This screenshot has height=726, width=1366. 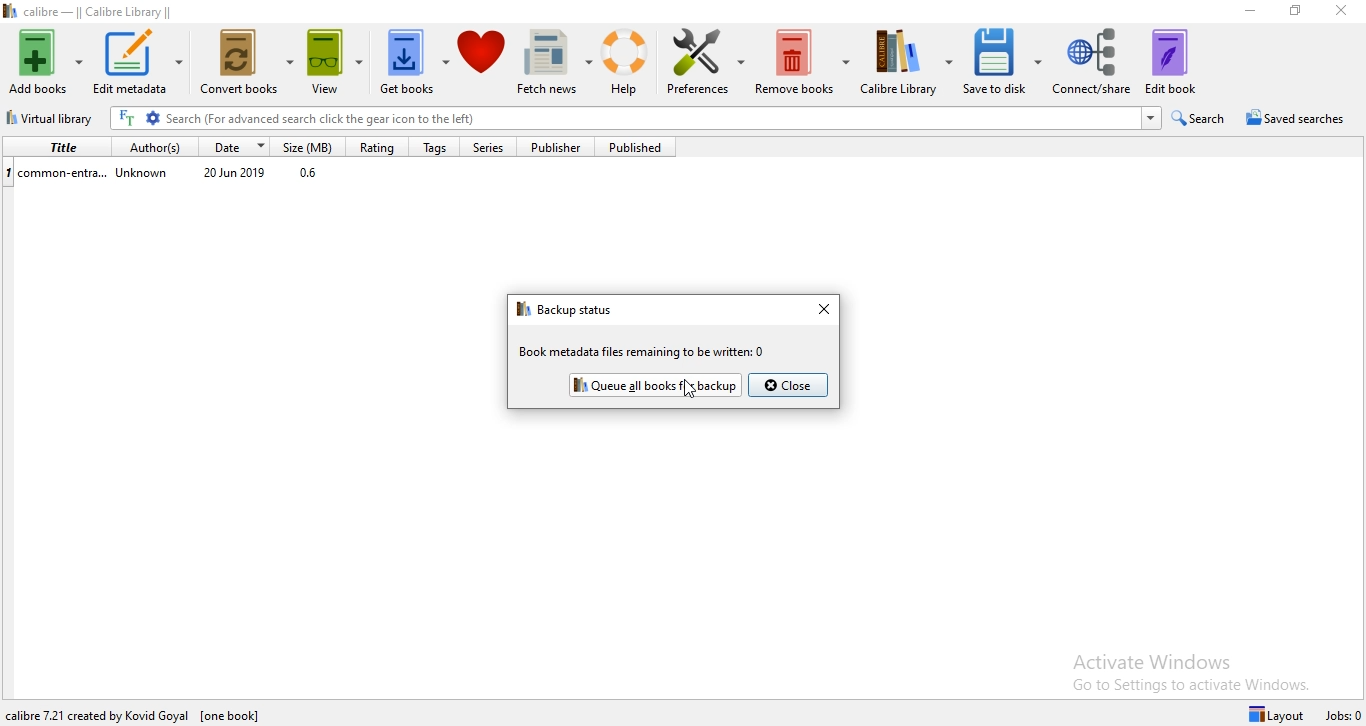 I want to click on Remove books, so click(x=802, y=65).